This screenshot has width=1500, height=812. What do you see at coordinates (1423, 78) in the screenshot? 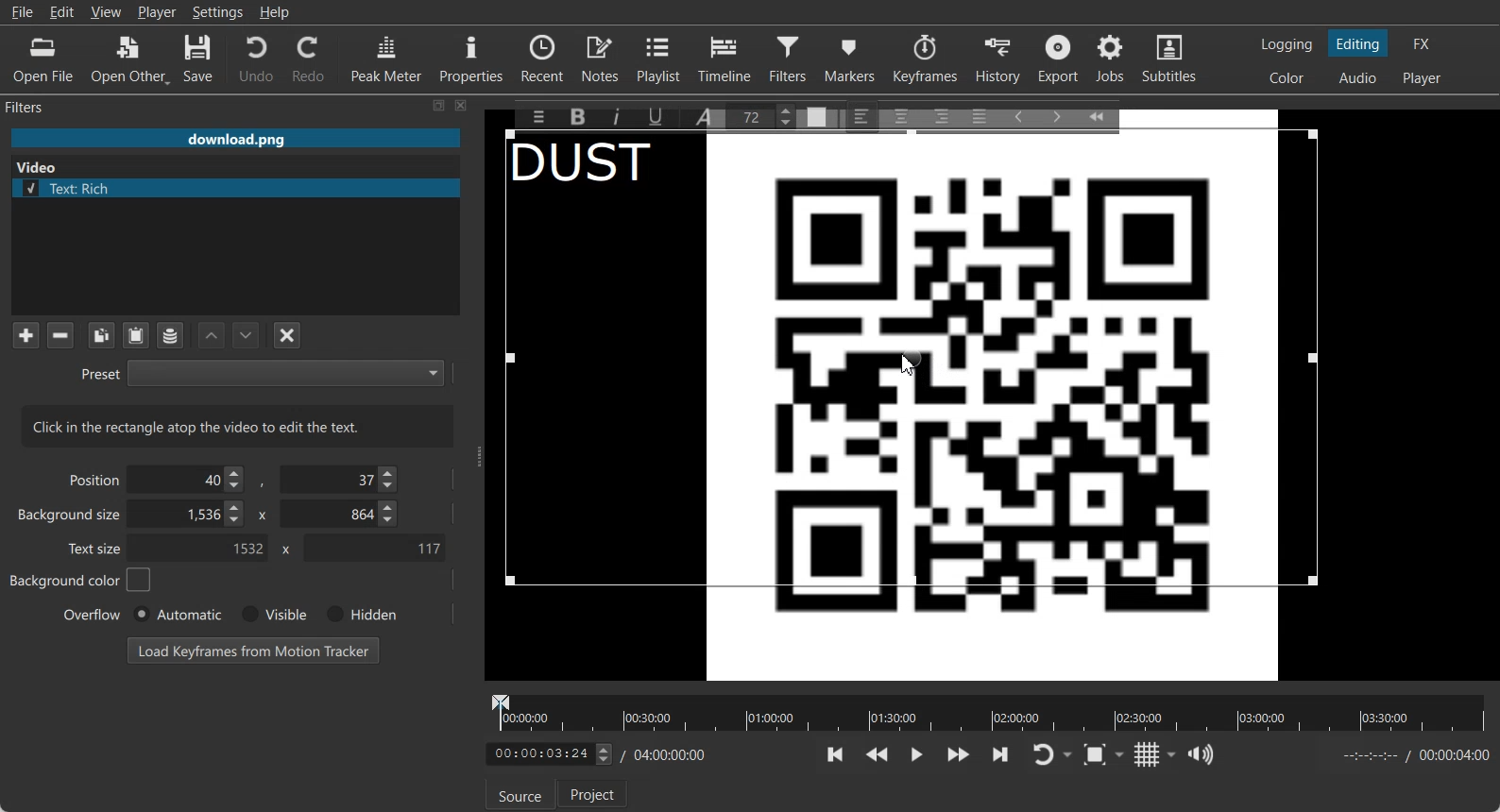
I see `Switching to the Player only layout` at bounding box center [1423, 78].